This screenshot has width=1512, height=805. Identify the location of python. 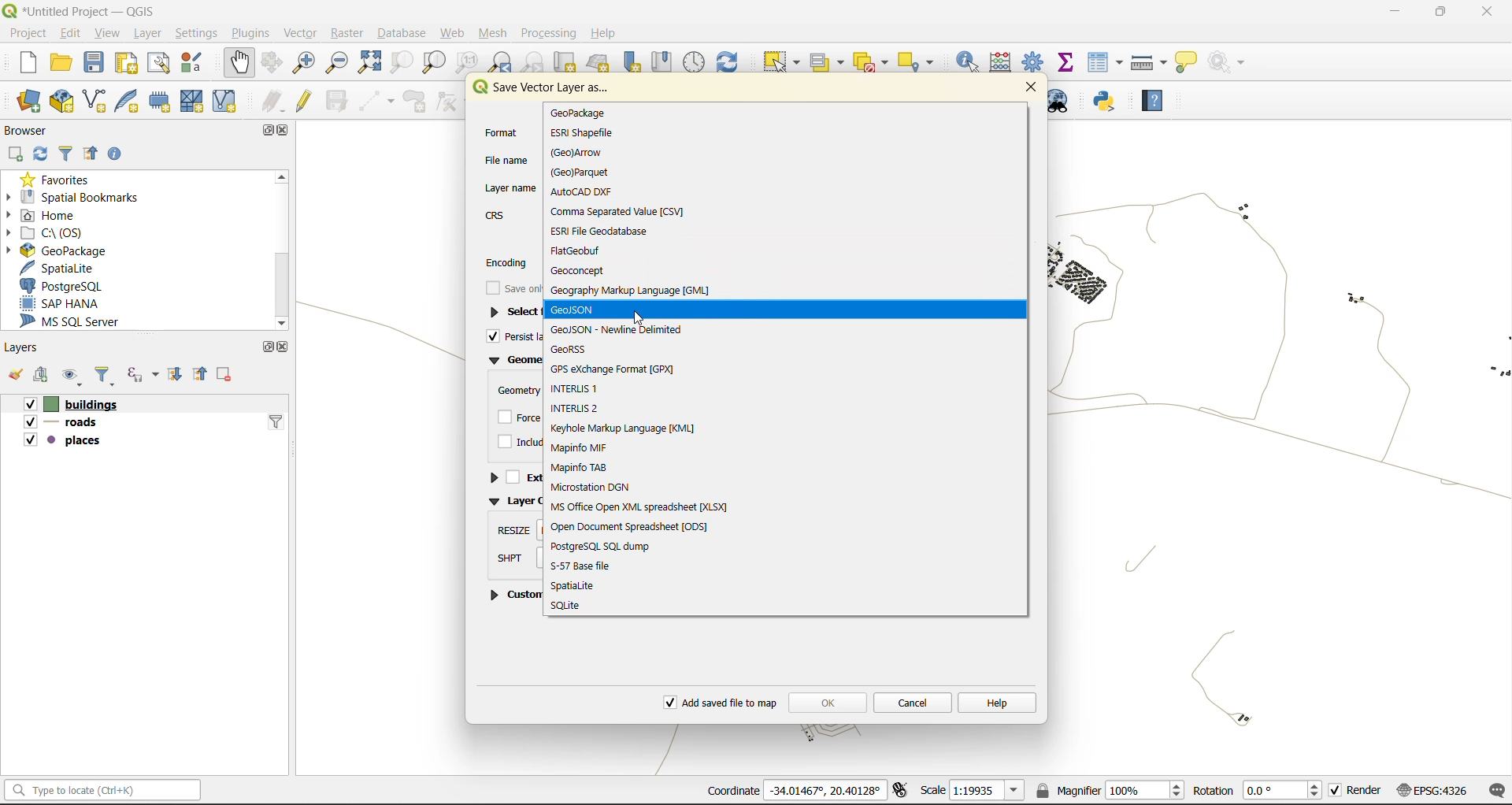
(1109, 101).